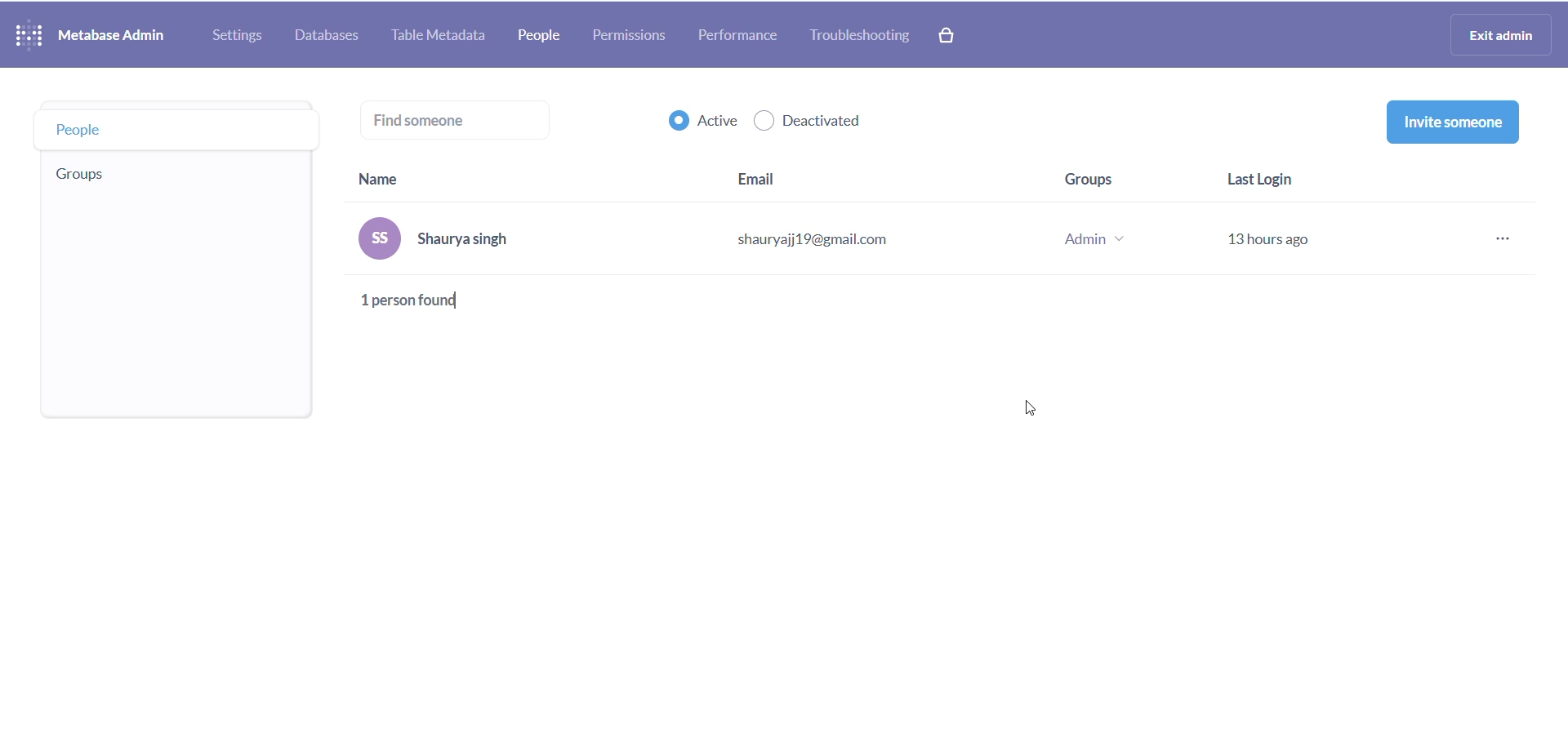 The height and width of the screenshot is (743, 1568). Describe the element at coordinates (239, 34) in the screenshot. I see `settings` at that location.